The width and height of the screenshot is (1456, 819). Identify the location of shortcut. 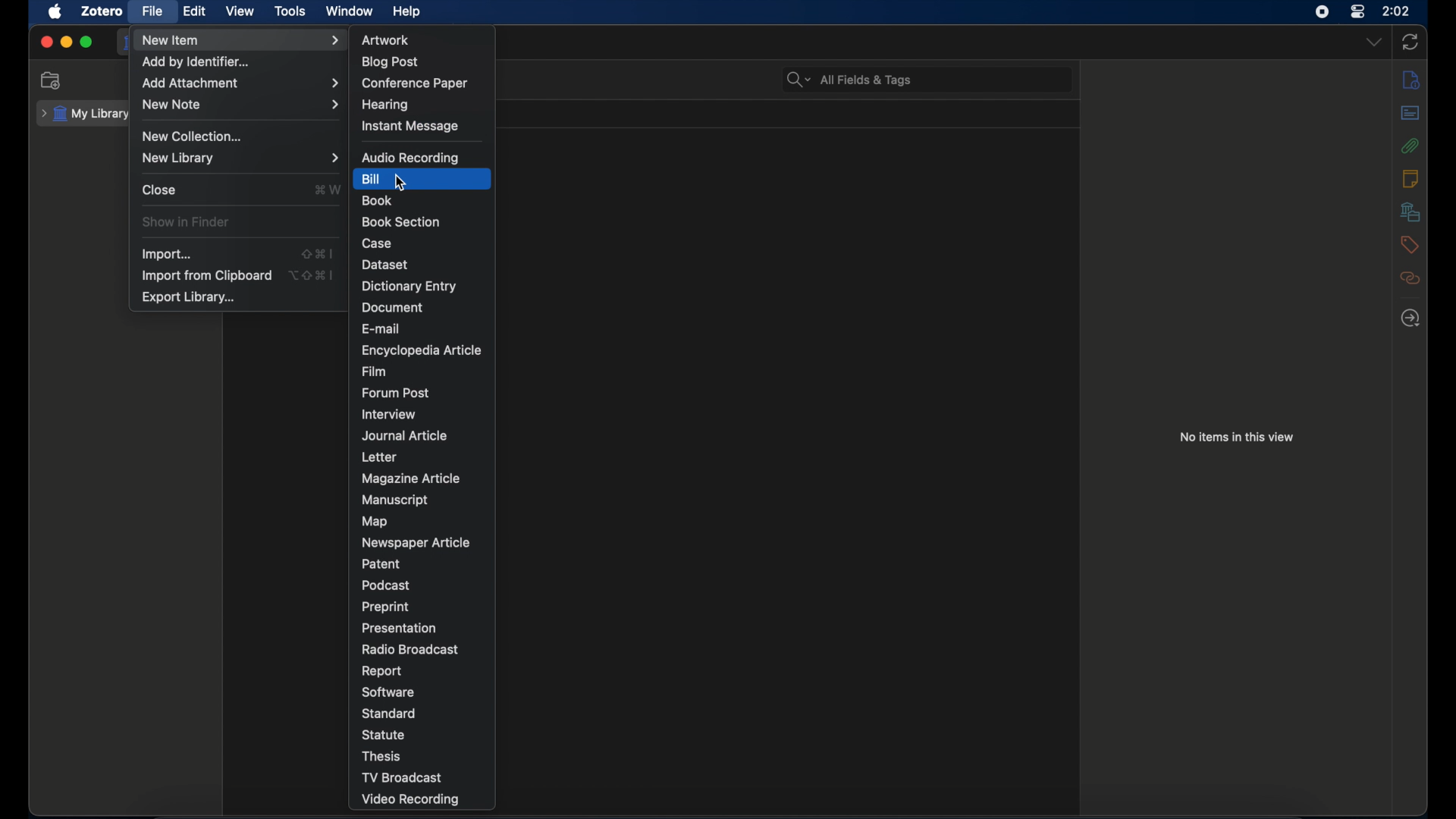
(328, 190).